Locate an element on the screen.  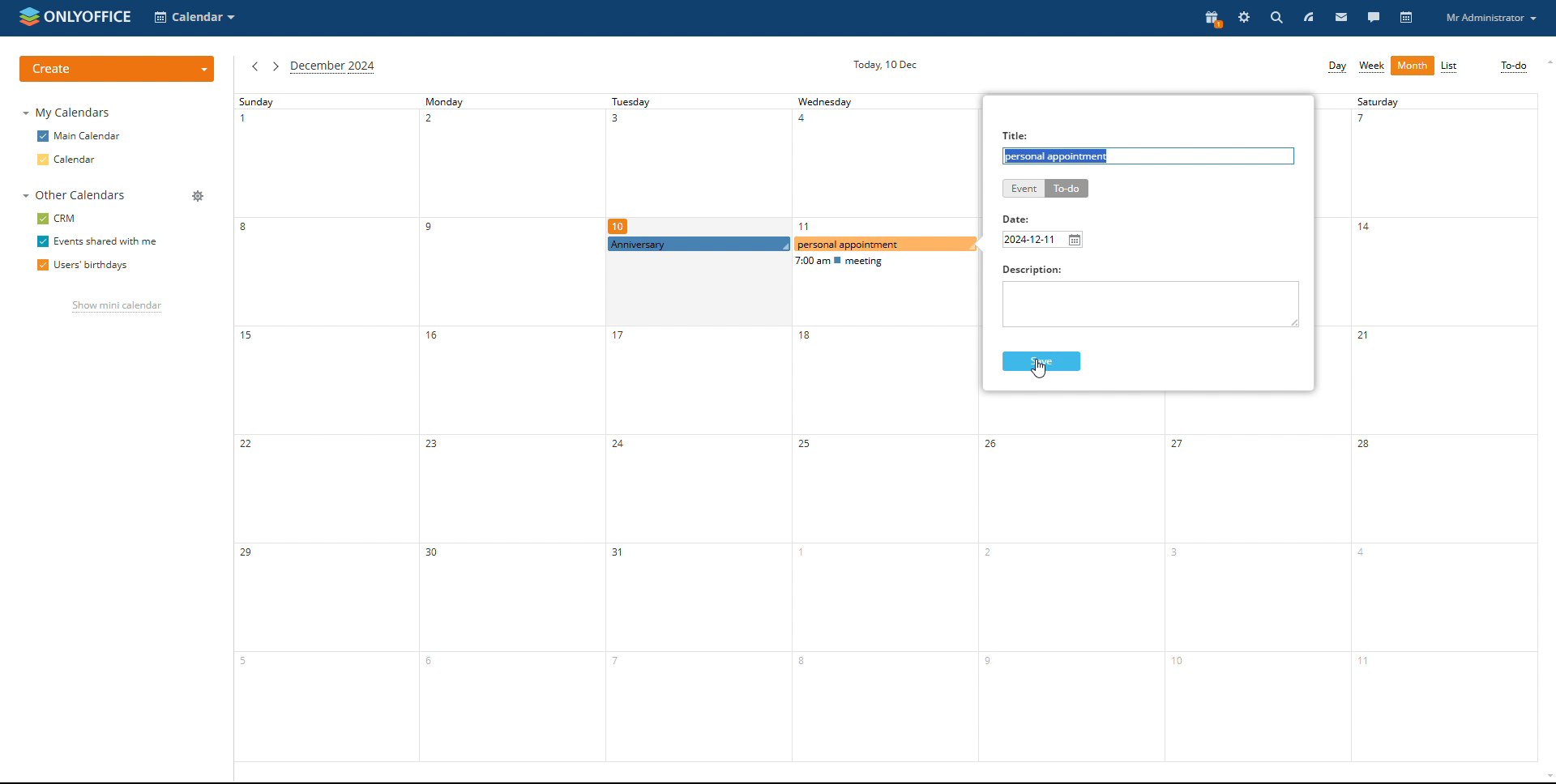
scroll up is located at coordinates (1546, 62).